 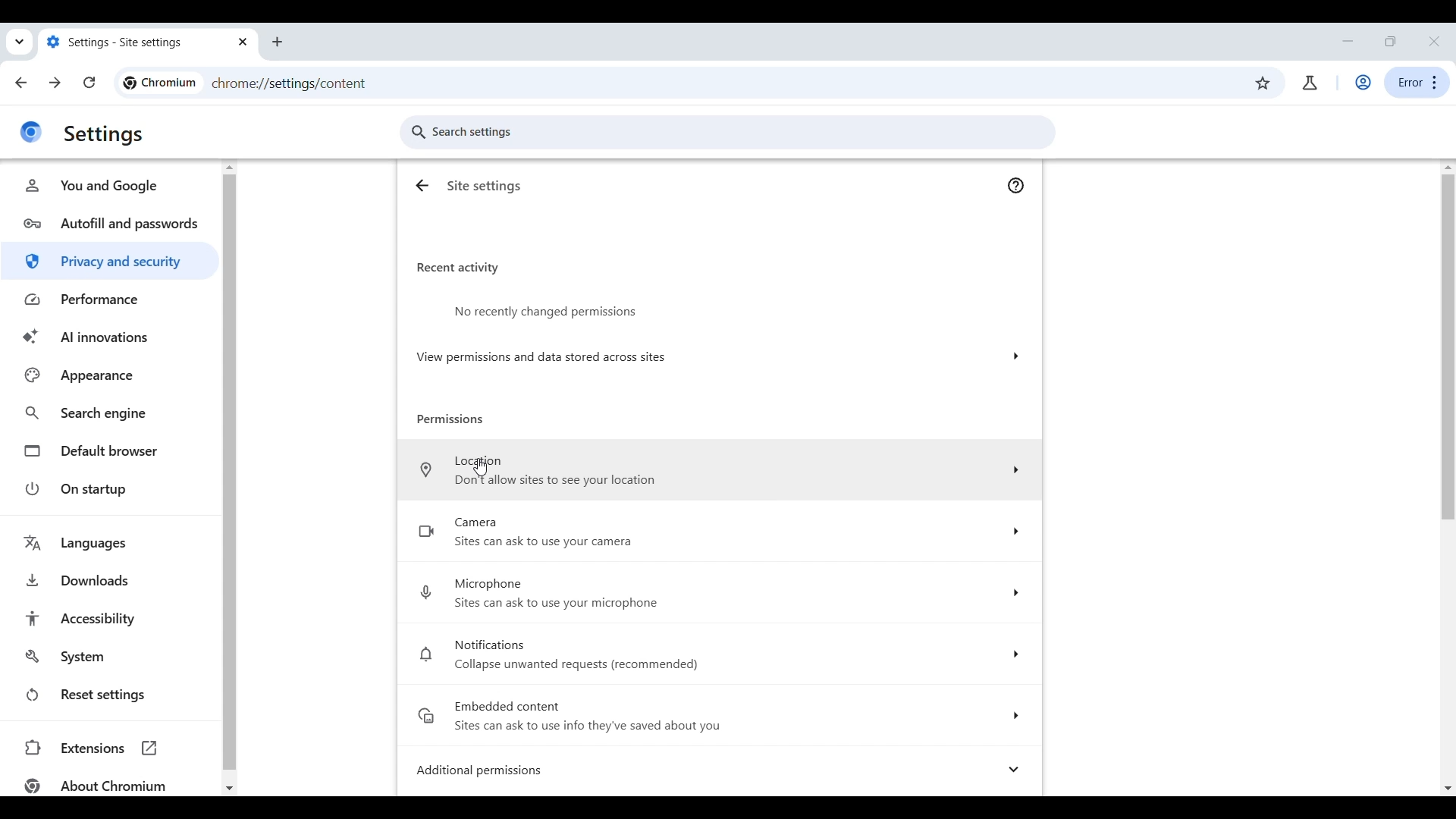 What do you see at coordinates (108, 450) in the screenshot?
I see `Default browser` at bounding box center [108, 450].